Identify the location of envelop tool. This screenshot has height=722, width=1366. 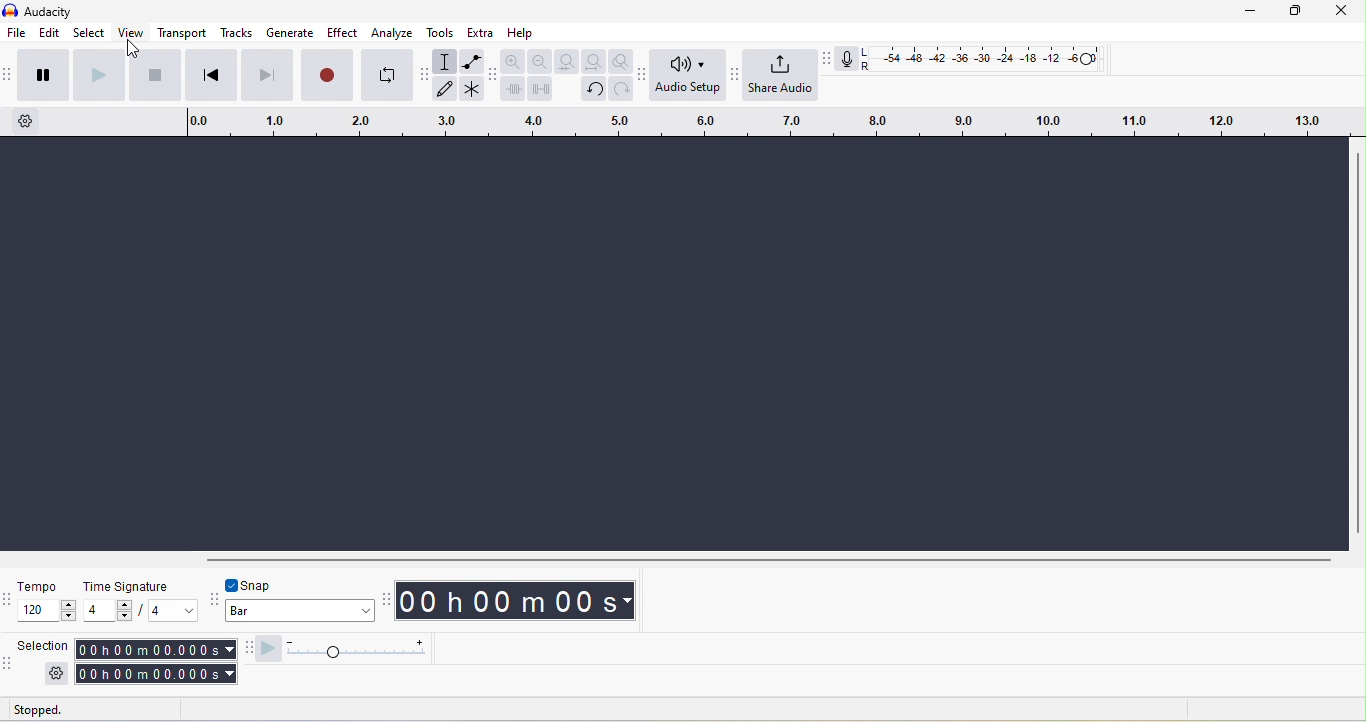
(473, 61).